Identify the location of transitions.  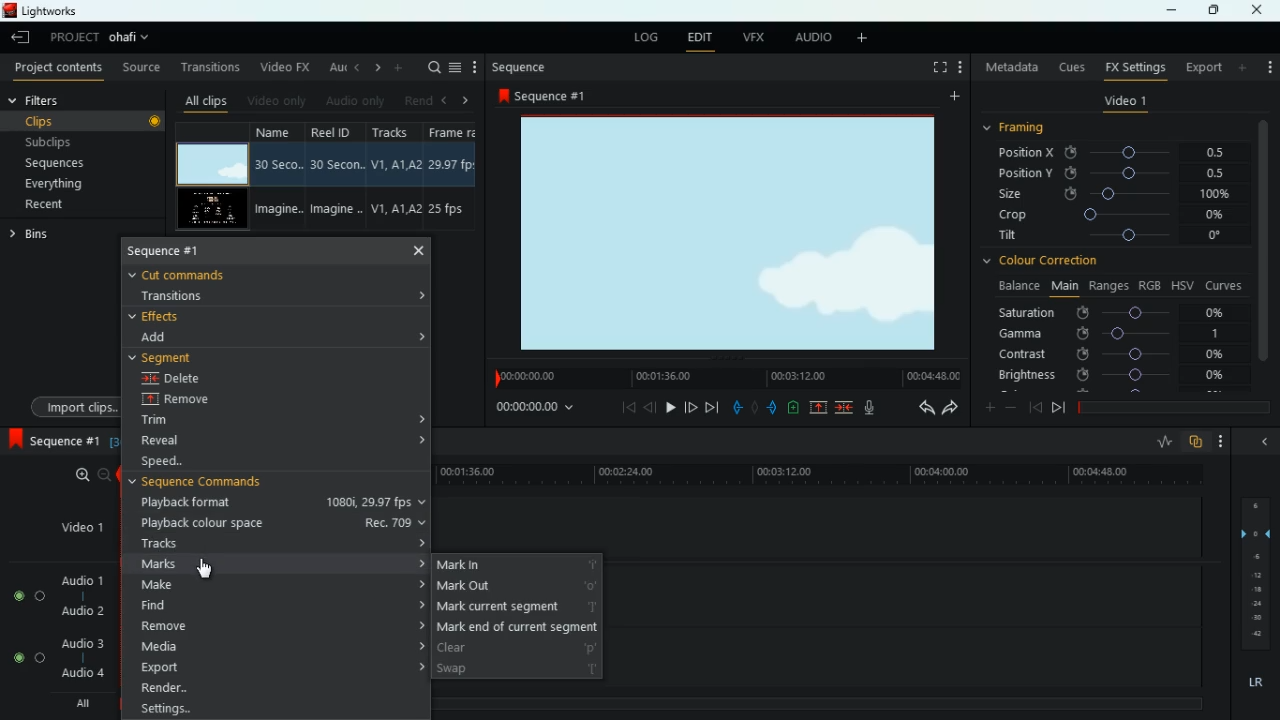
(207, 66).